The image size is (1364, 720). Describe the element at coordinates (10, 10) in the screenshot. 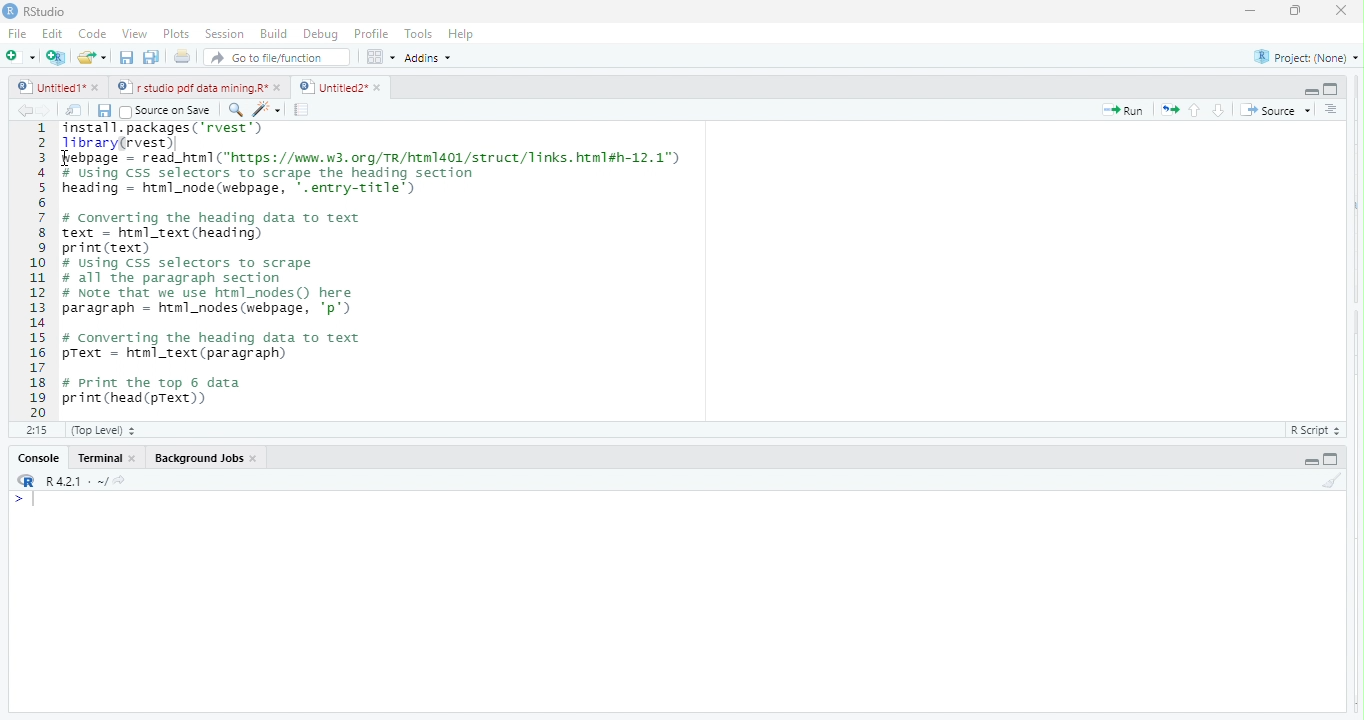

I see `rs studio logo` at that location.